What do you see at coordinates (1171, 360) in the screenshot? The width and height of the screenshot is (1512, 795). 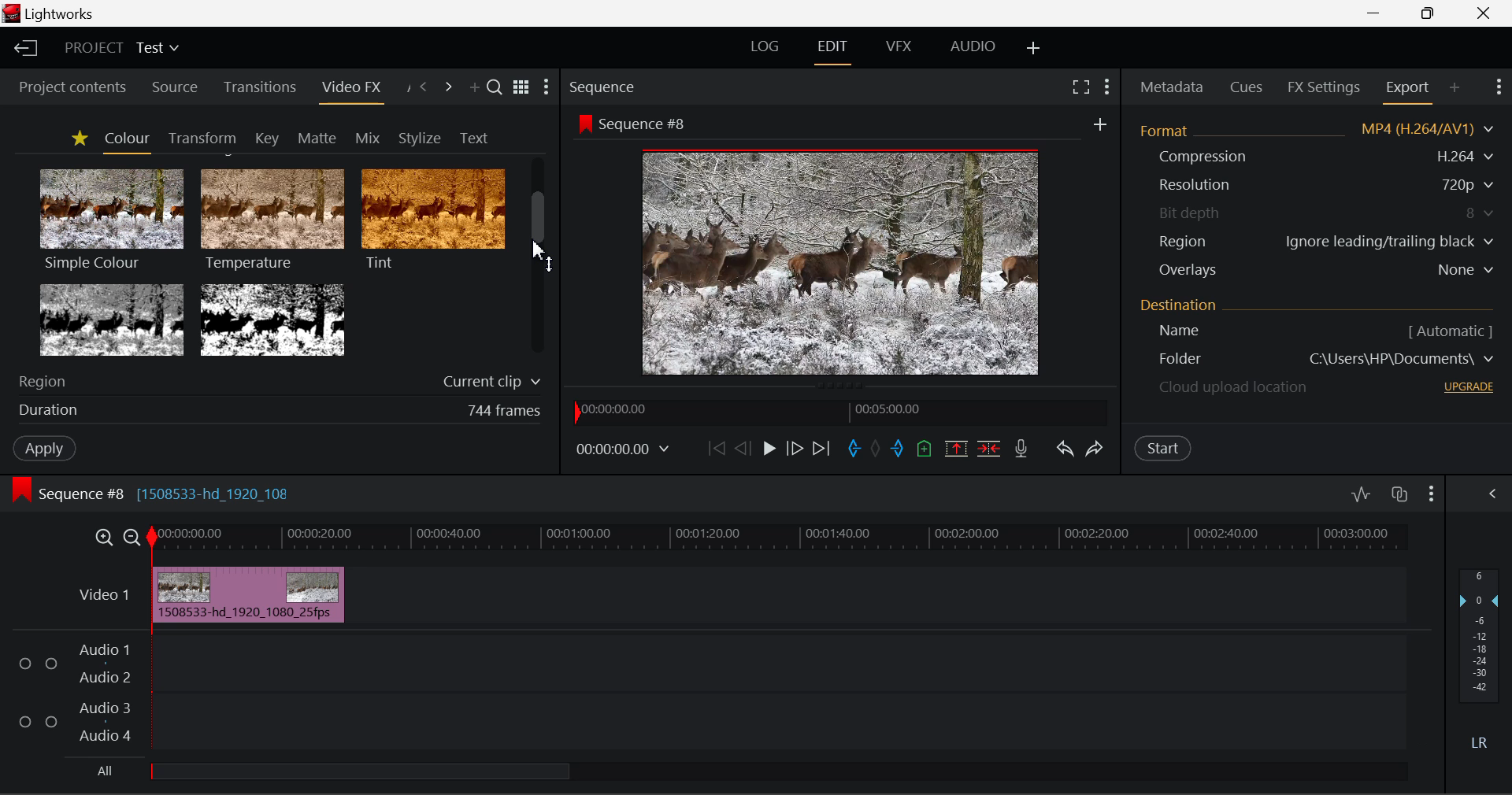 I see `Destination Folder` at bounding box center [1171, 360].